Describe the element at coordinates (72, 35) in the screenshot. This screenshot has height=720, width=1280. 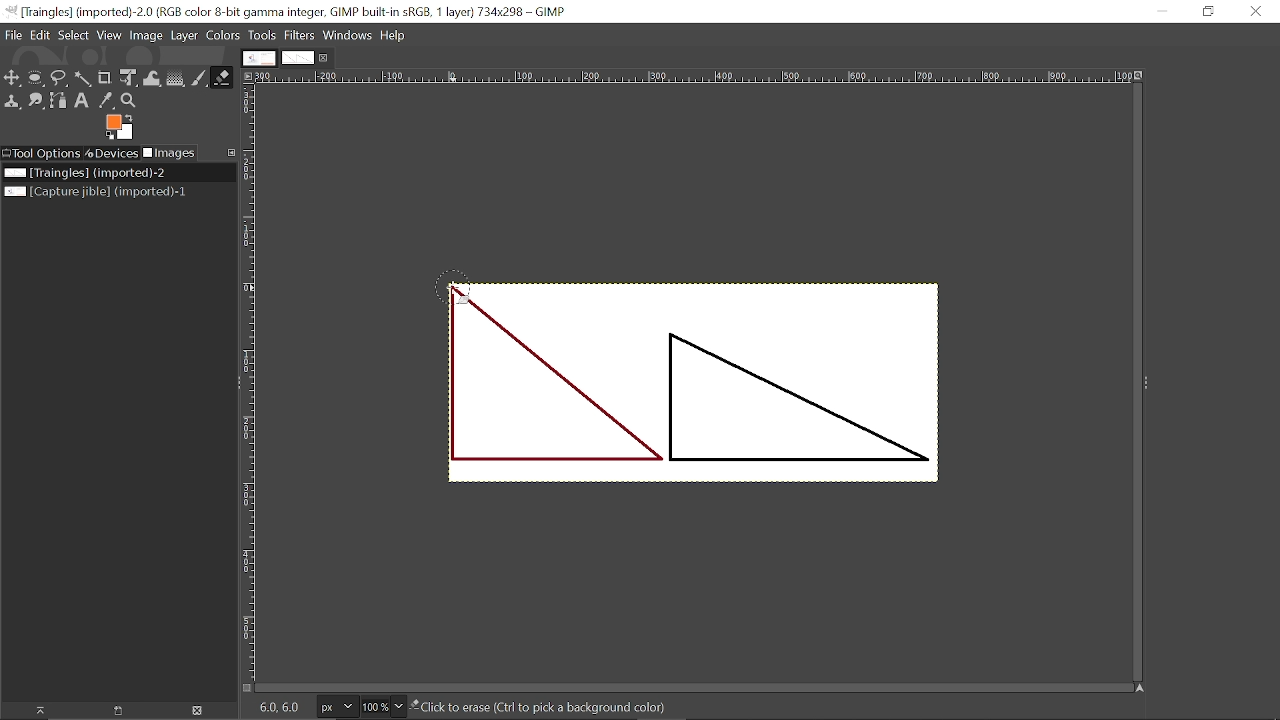
I see `Select` at that location.